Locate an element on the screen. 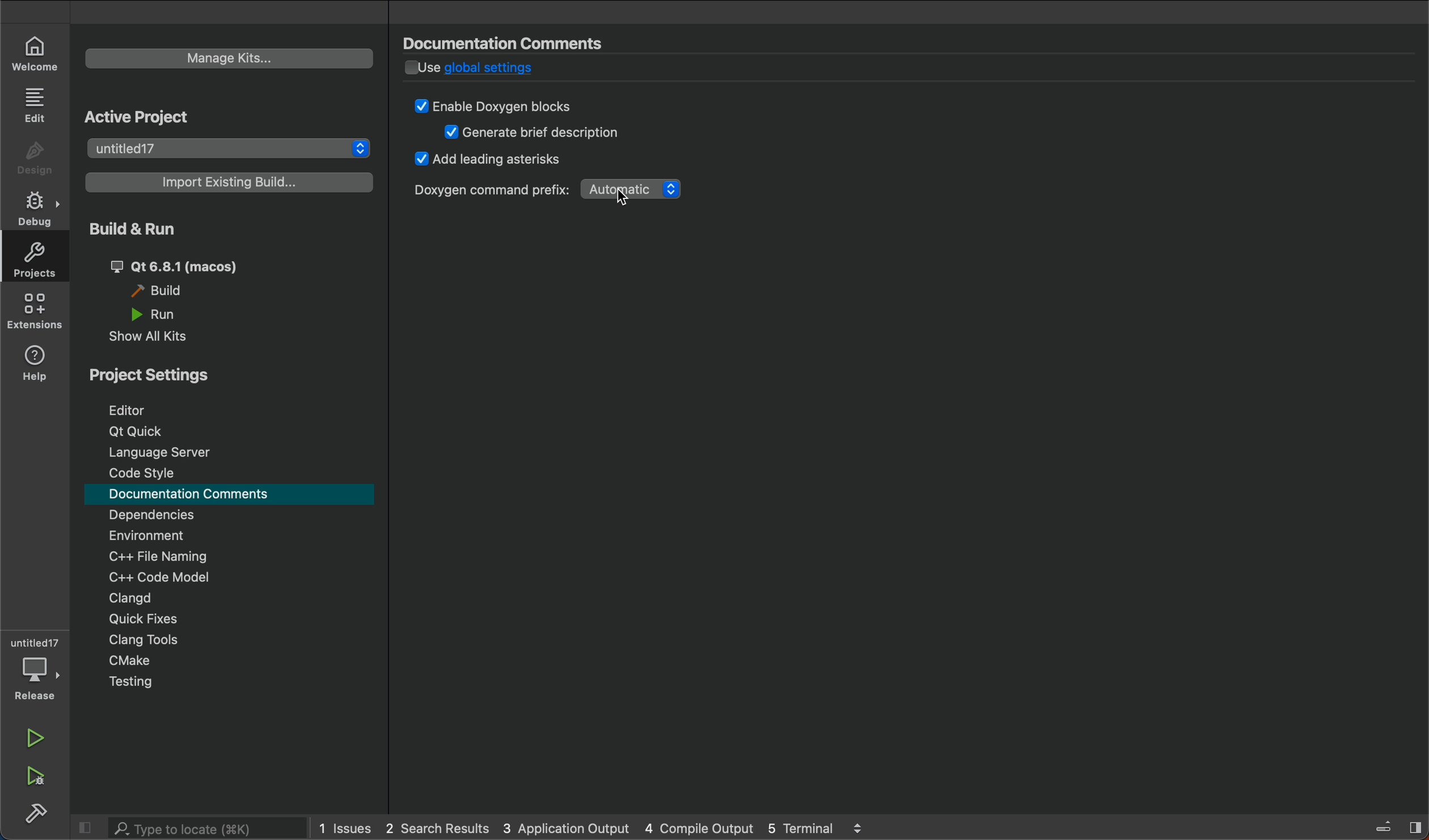 The width and height of the screenshot is (1429, 840). manage kits is located at coordinates (231, 60).